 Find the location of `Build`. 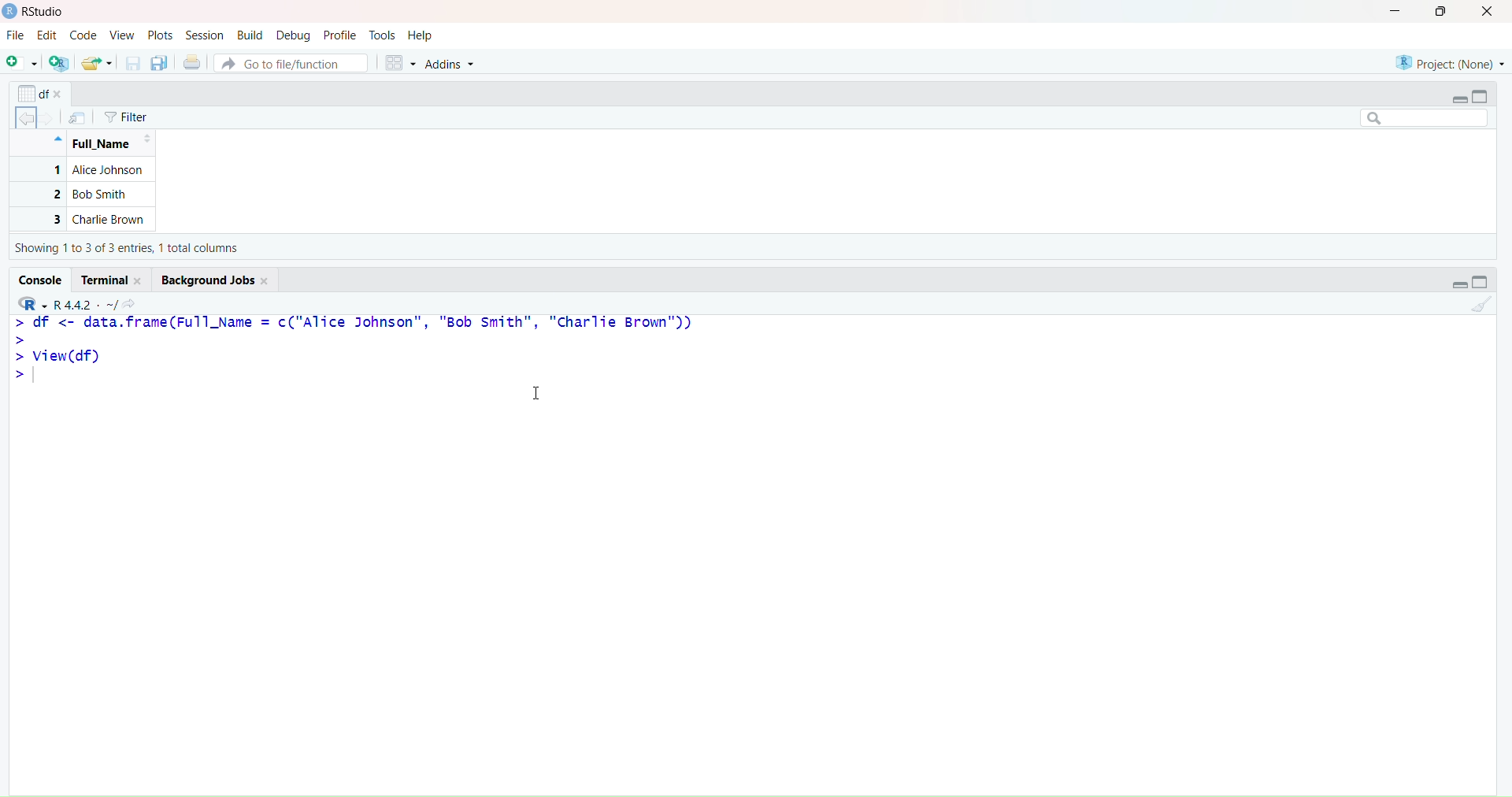

Build is located at coordinates (250, 34).